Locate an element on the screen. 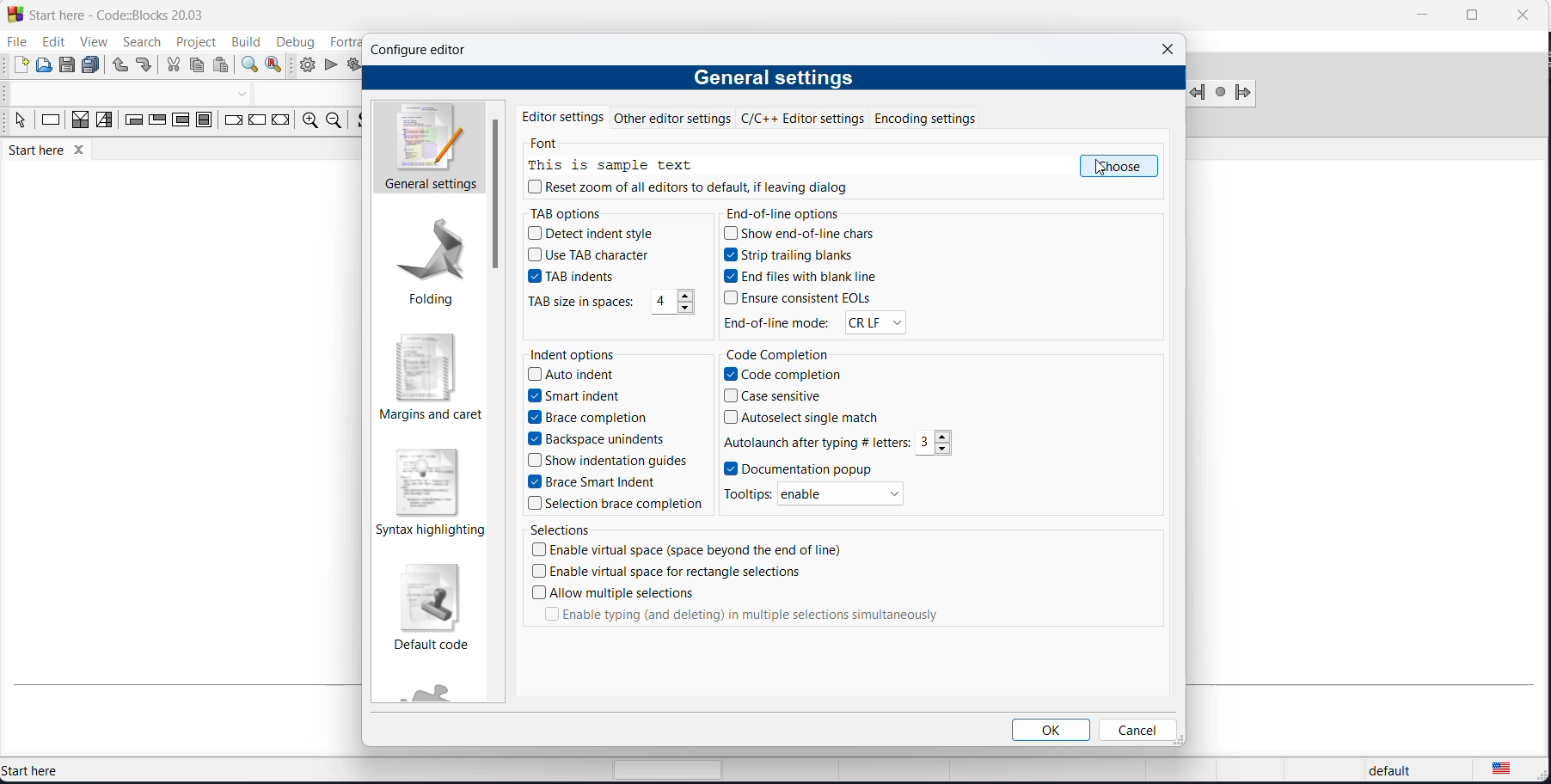 The height and width of the screenshot is (784, 1551). save all is located at coordinates (94, 65).